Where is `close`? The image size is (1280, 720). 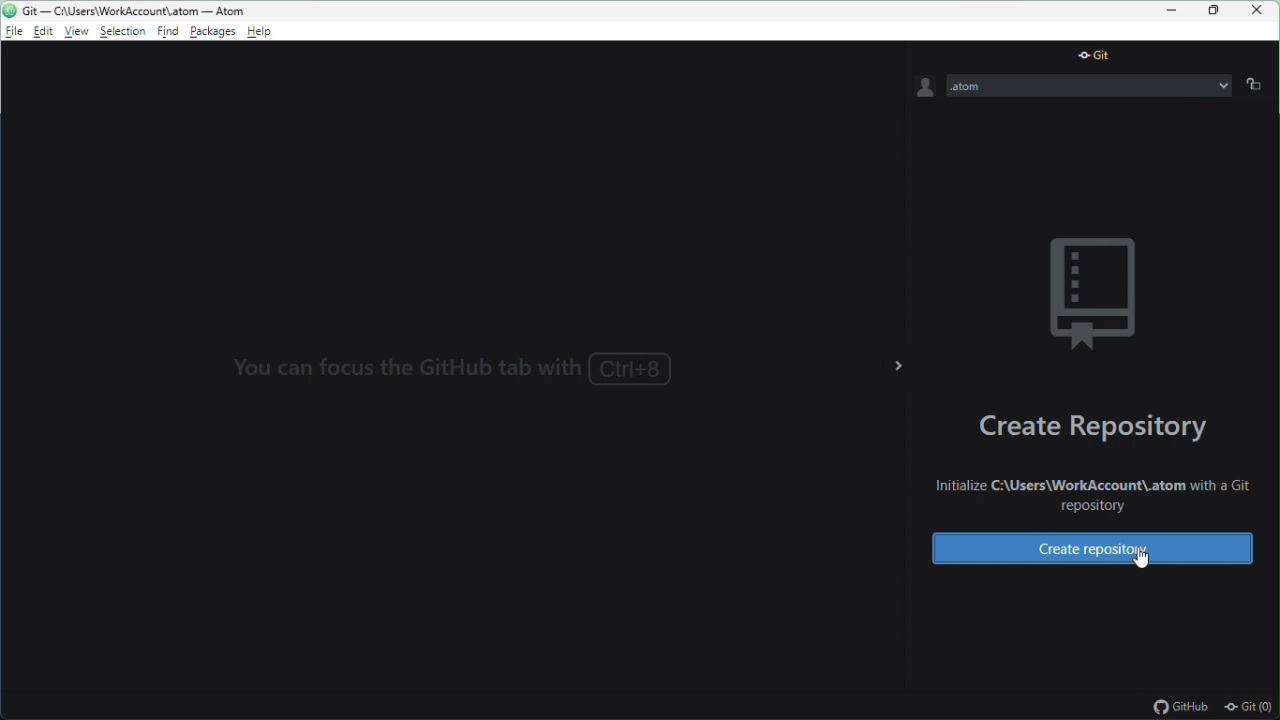 close is located at coordinates (1260, 11).